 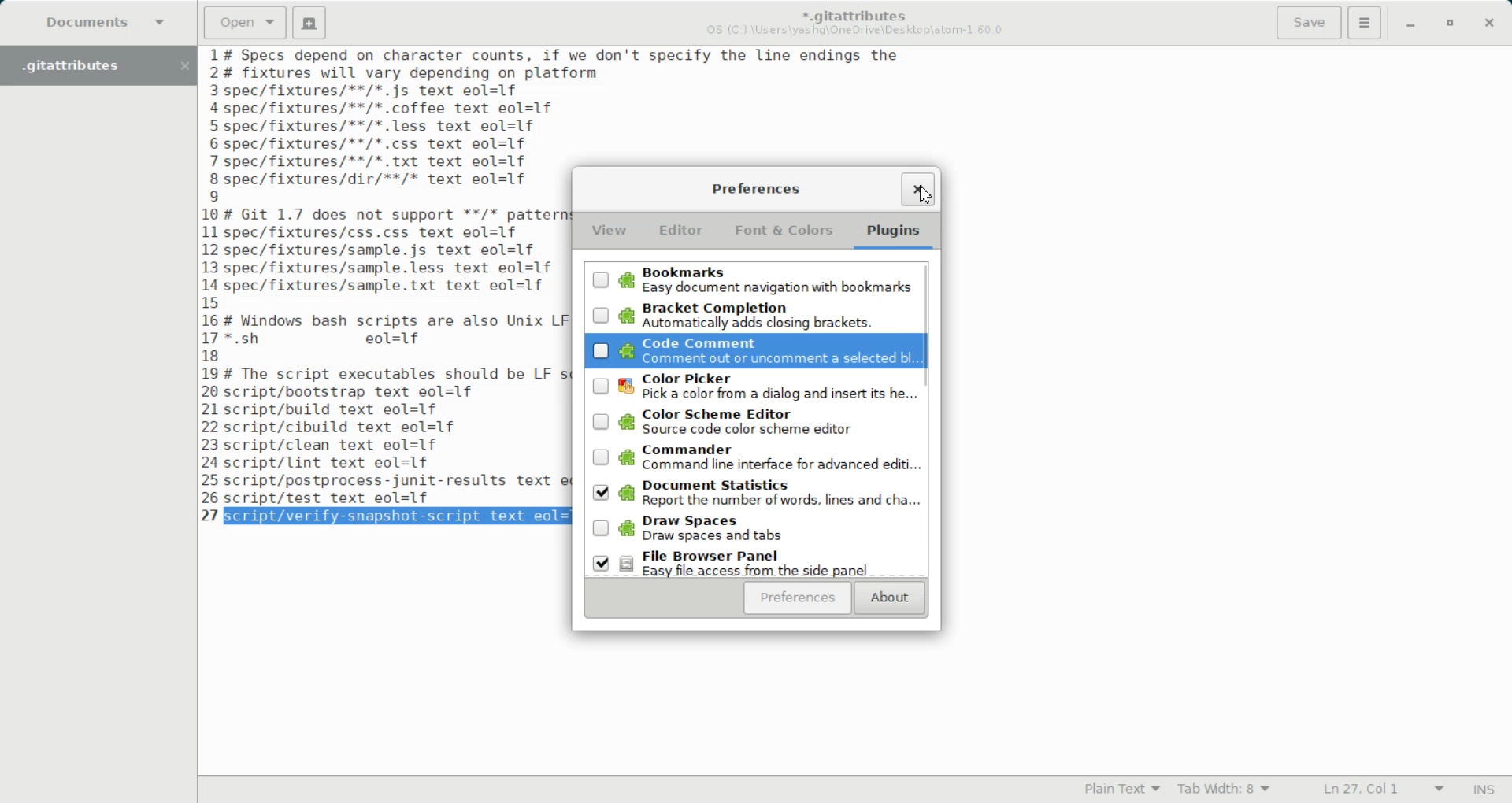 What do you see at coordinates (928, 416) in the screenshot?
I see `Vertical scroll bar` at bounding box center [928, 416].